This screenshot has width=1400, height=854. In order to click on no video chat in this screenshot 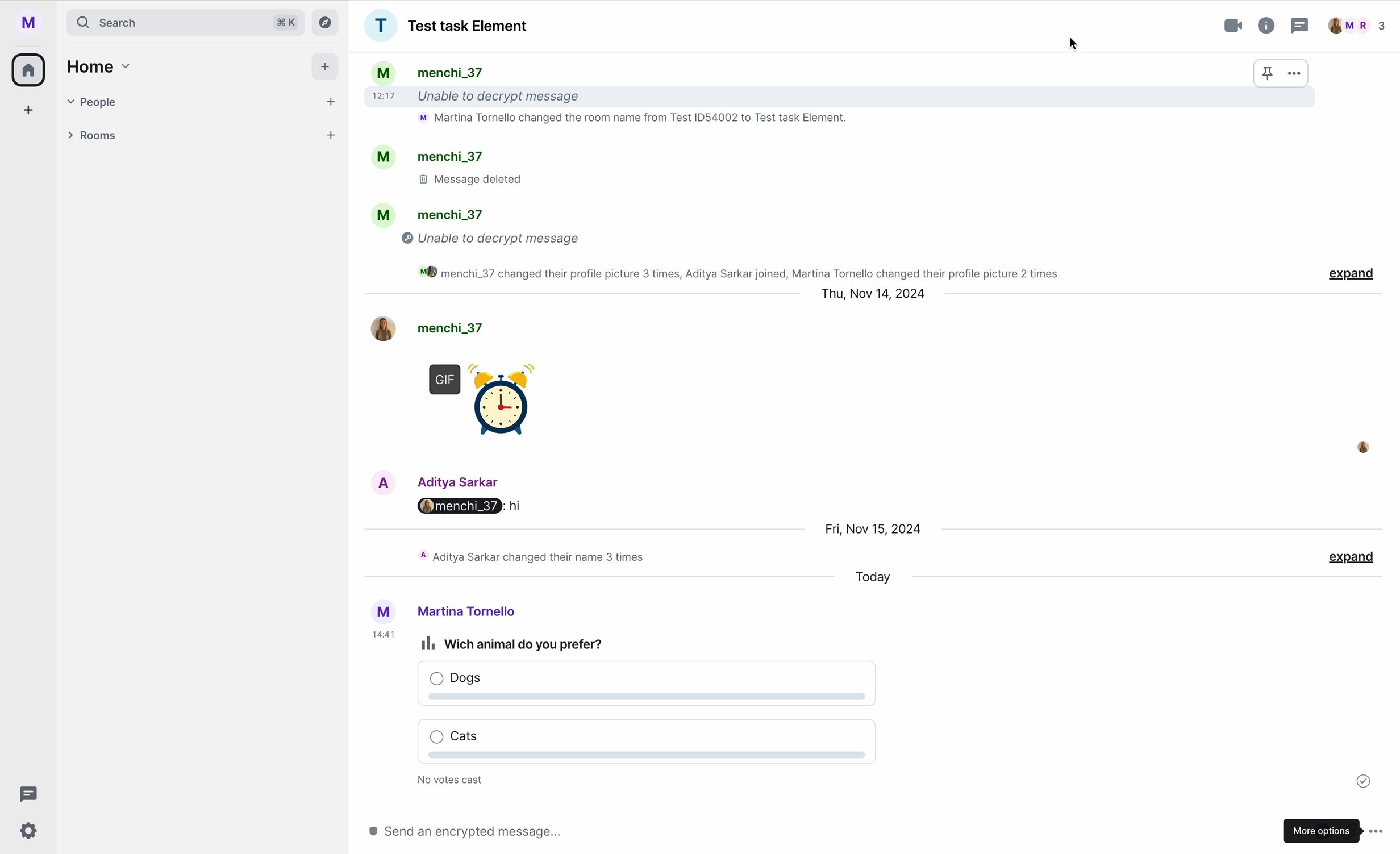, I will do `click(453, 781)`.